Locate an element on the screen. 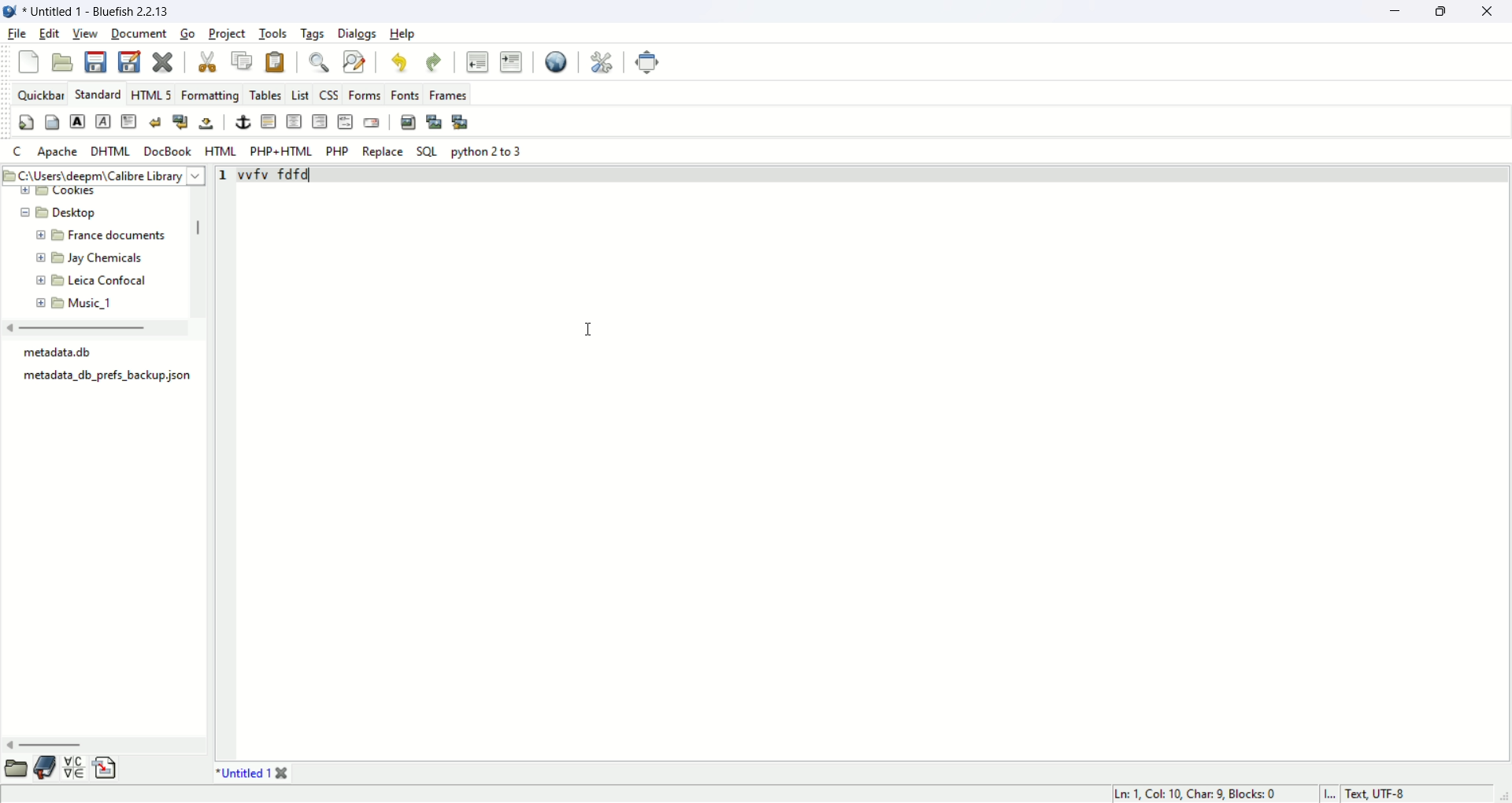 The height and width of the screenshot is (803, 1512). metadata.db is located at coordinates (64, 352).